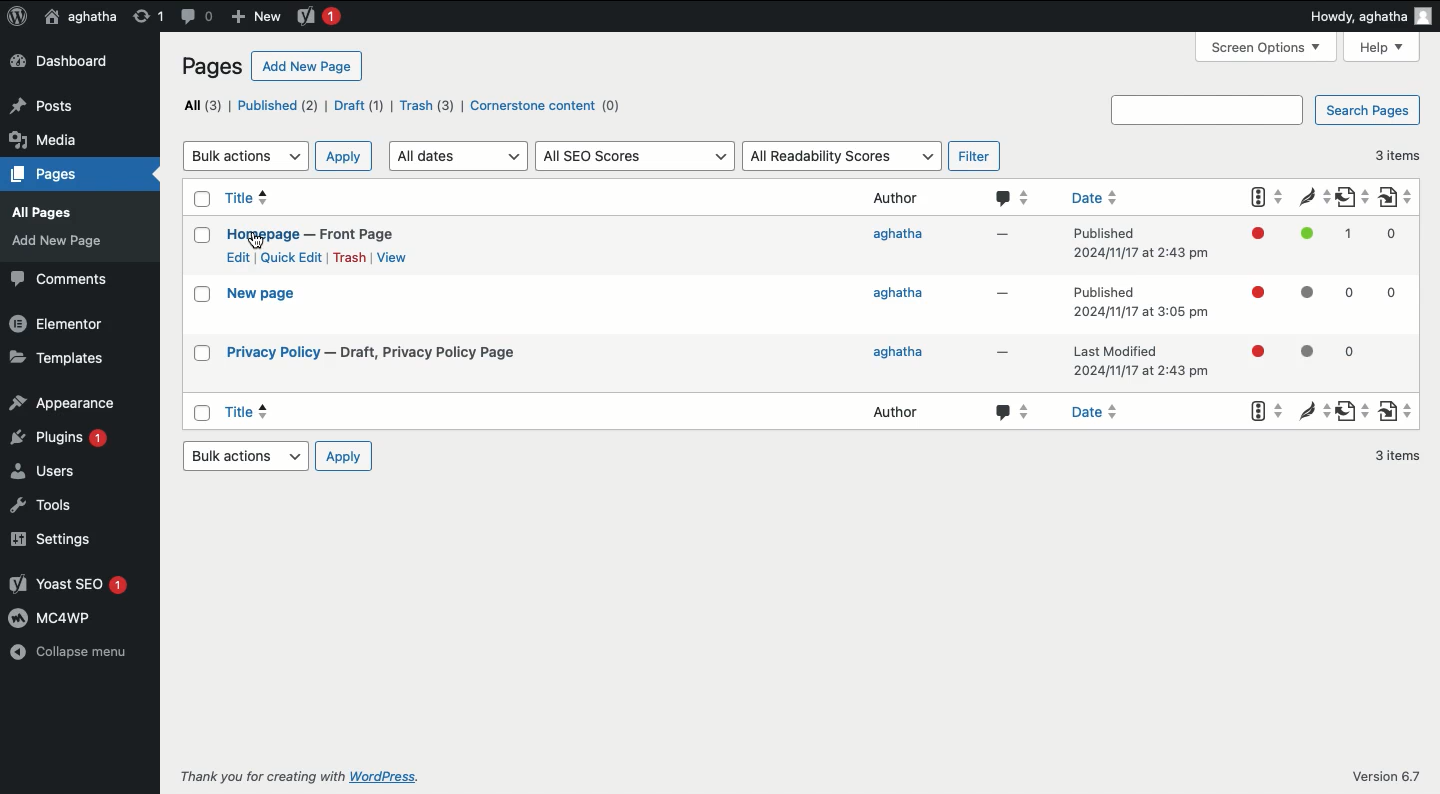 Image resolution: width=1440 pixels, height=794 pixels. I want to click on Trash, so click(427, 105).